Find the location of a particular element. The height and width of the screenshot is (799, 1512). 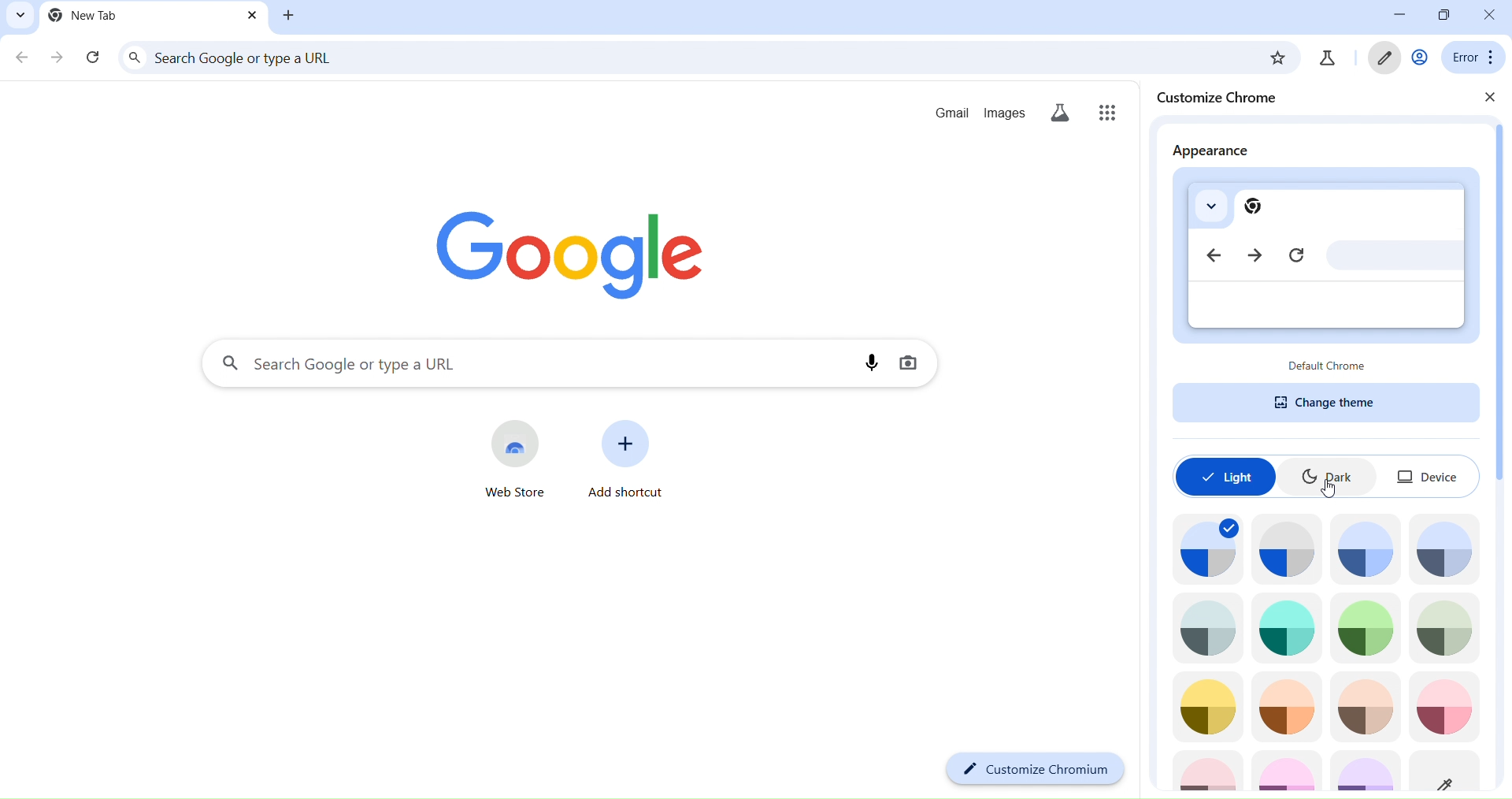

theme icon is located at coordinates (1369, 548).